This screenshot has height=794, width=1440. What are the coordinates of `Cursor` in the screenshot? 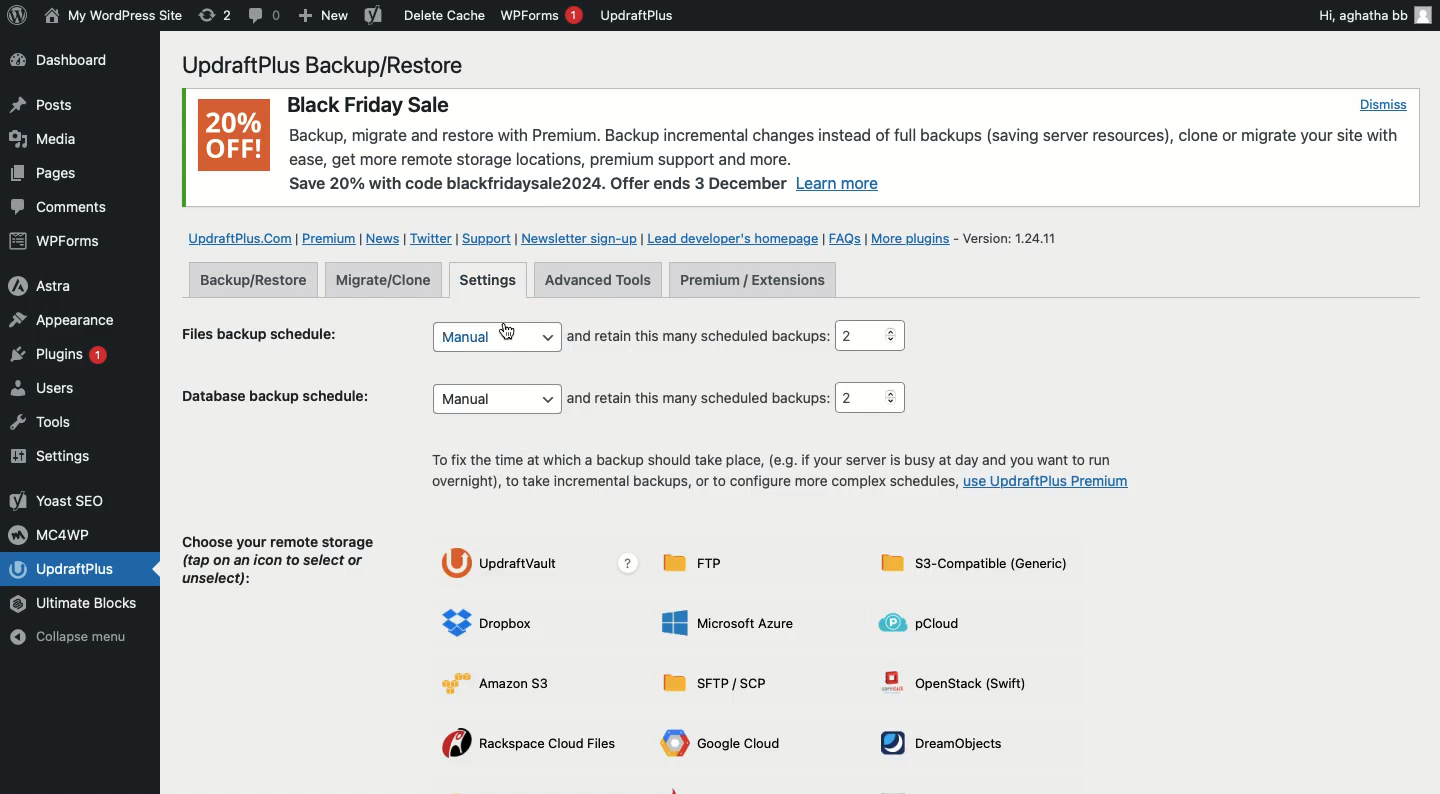 It's located at (510, 330).